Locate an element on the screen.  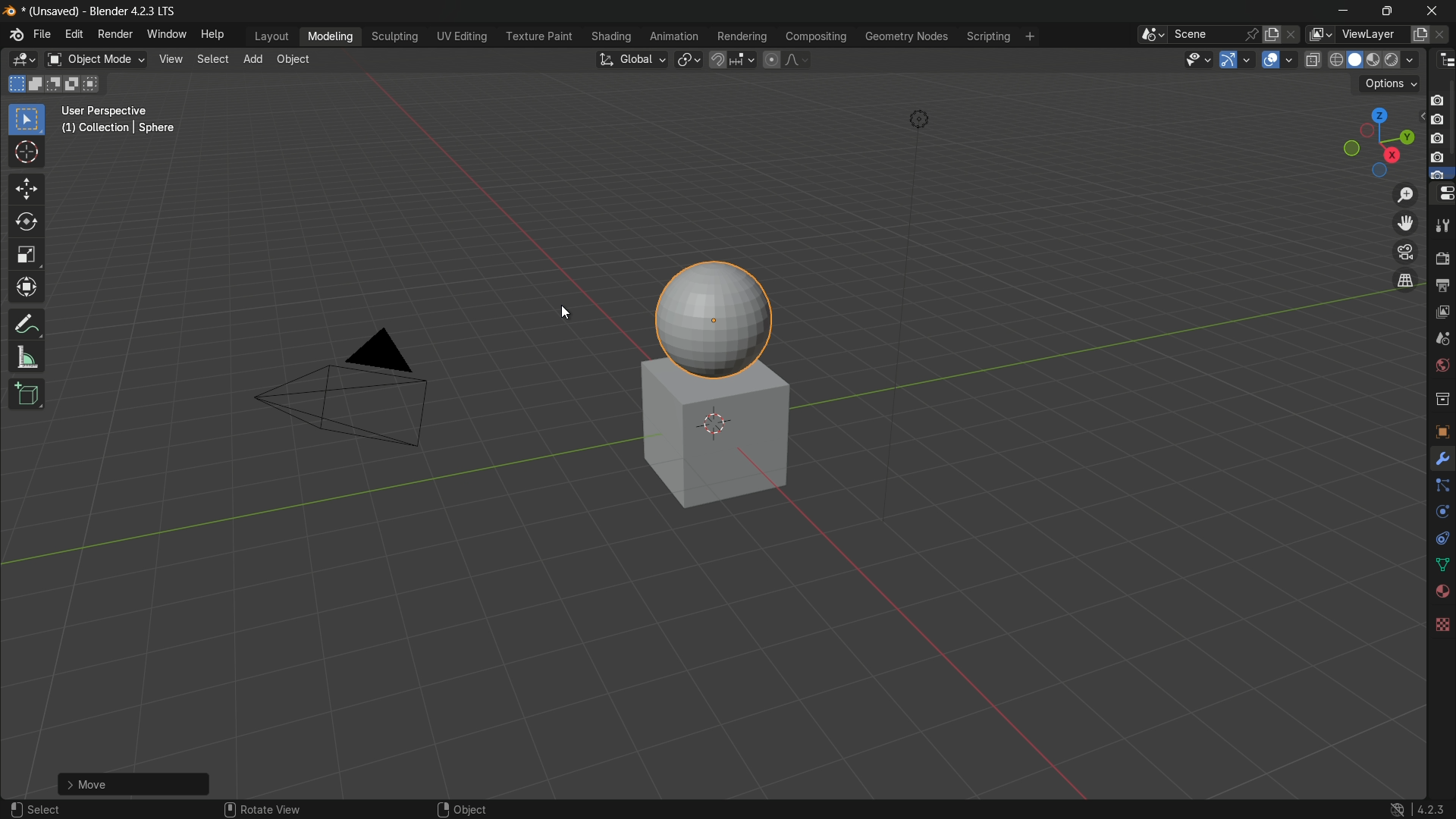
measure is located at coordinates (28, 359).